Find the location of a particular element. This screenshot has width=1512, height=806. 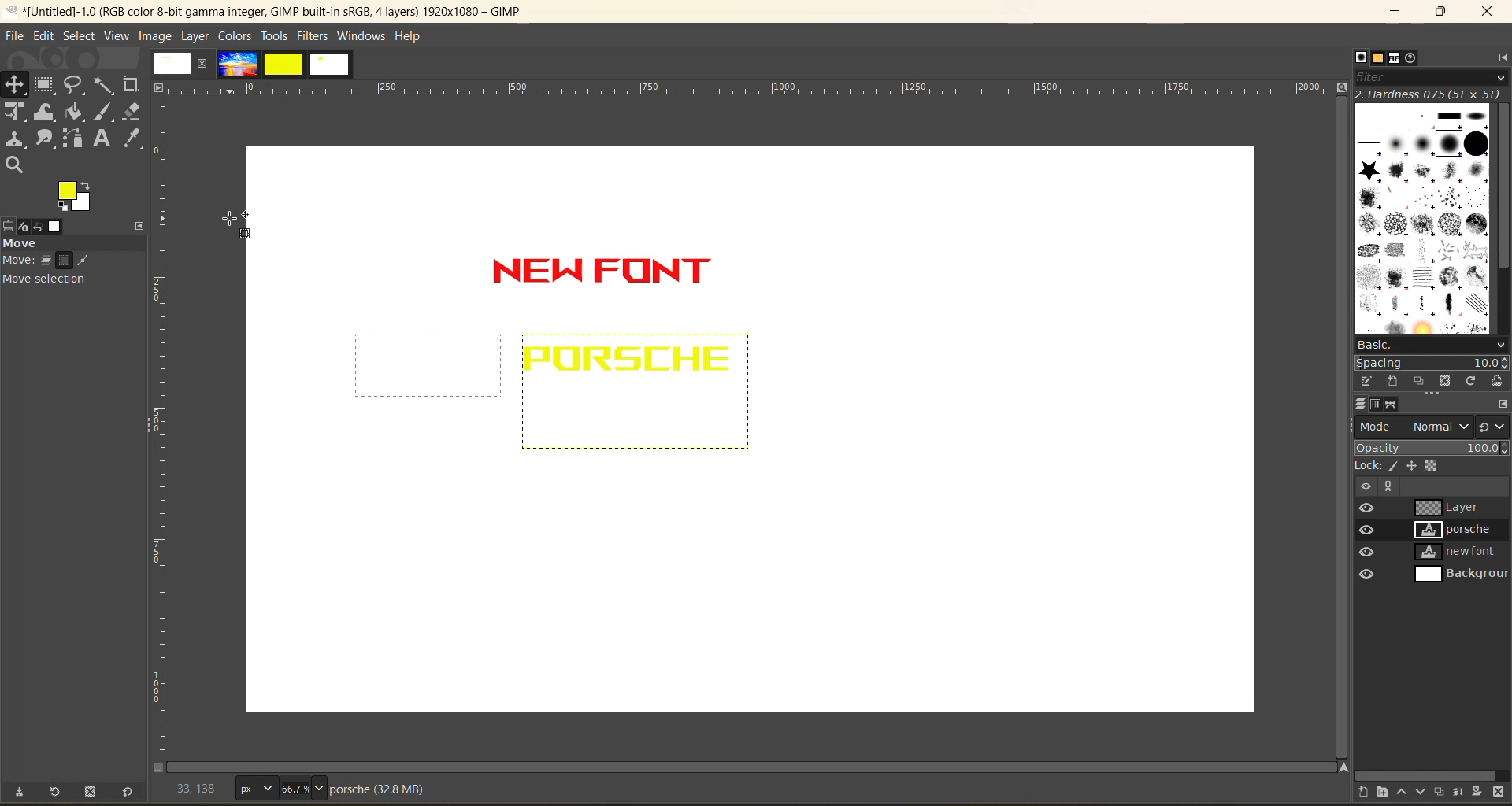

more is located at coordinates (1387, 487).